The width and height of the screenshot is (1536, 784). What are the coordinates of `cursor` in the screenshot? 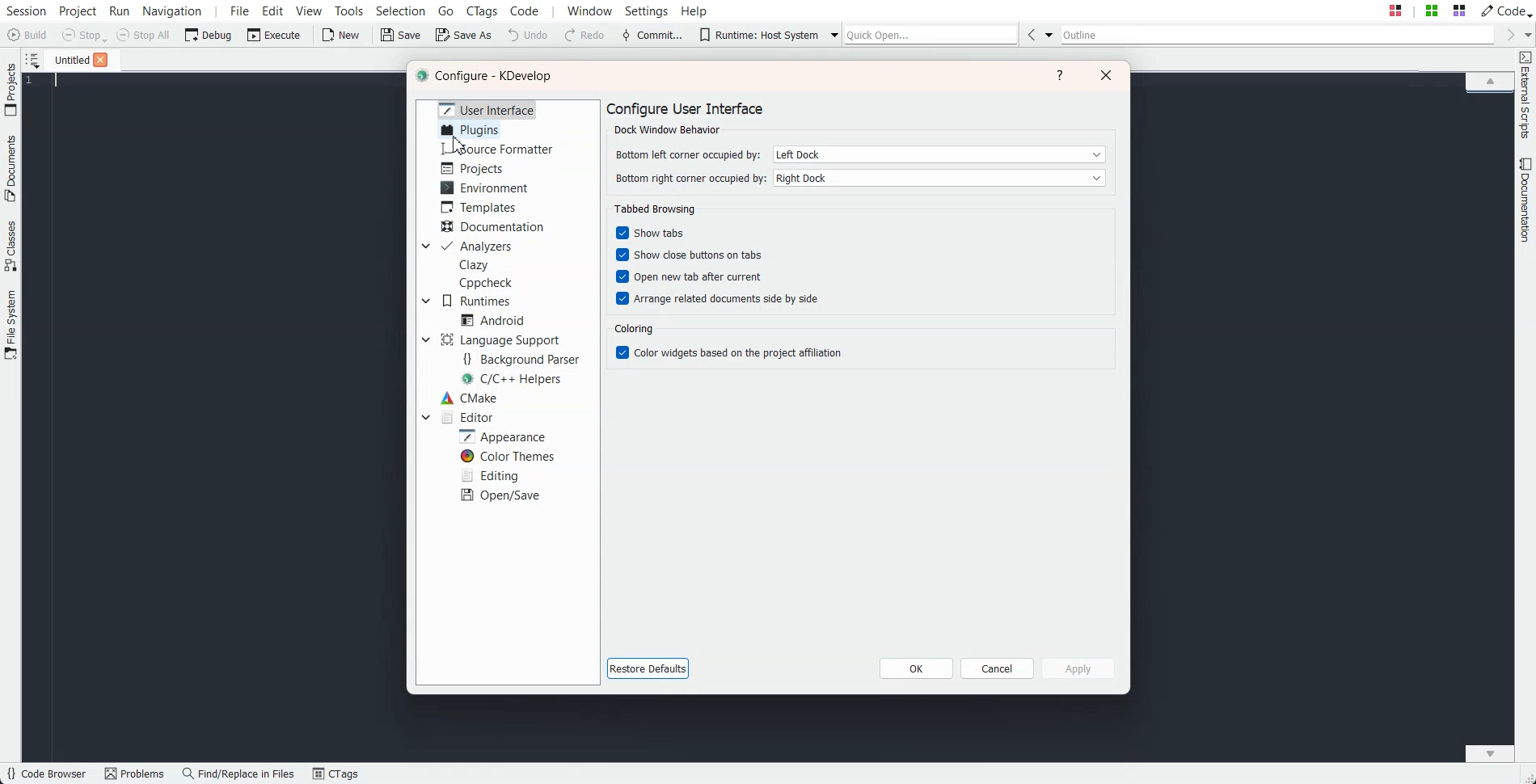 It's located at (458, 145).